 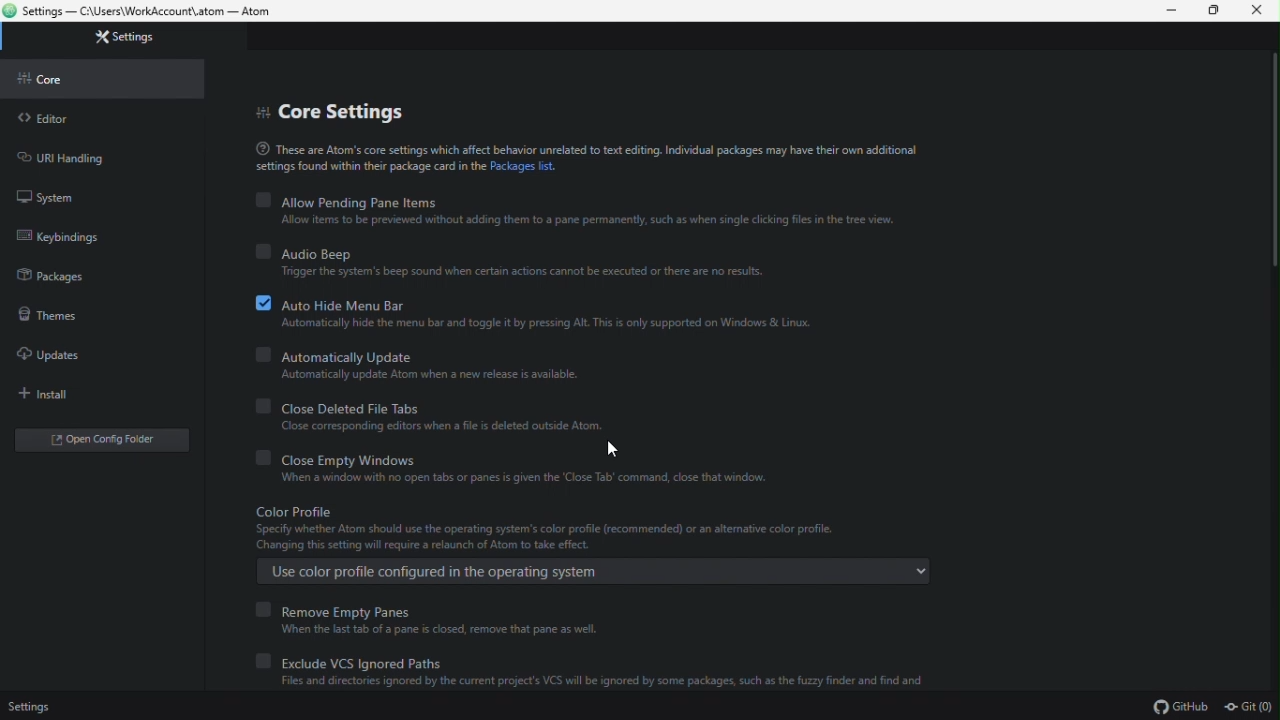 What do you see at coordinates (584, 220) in the screenshot?
I see `Allow items to be previewed without adding them to a pane permanently, such as when single clicking files in the tree view.` at bounding box center [584, 220].